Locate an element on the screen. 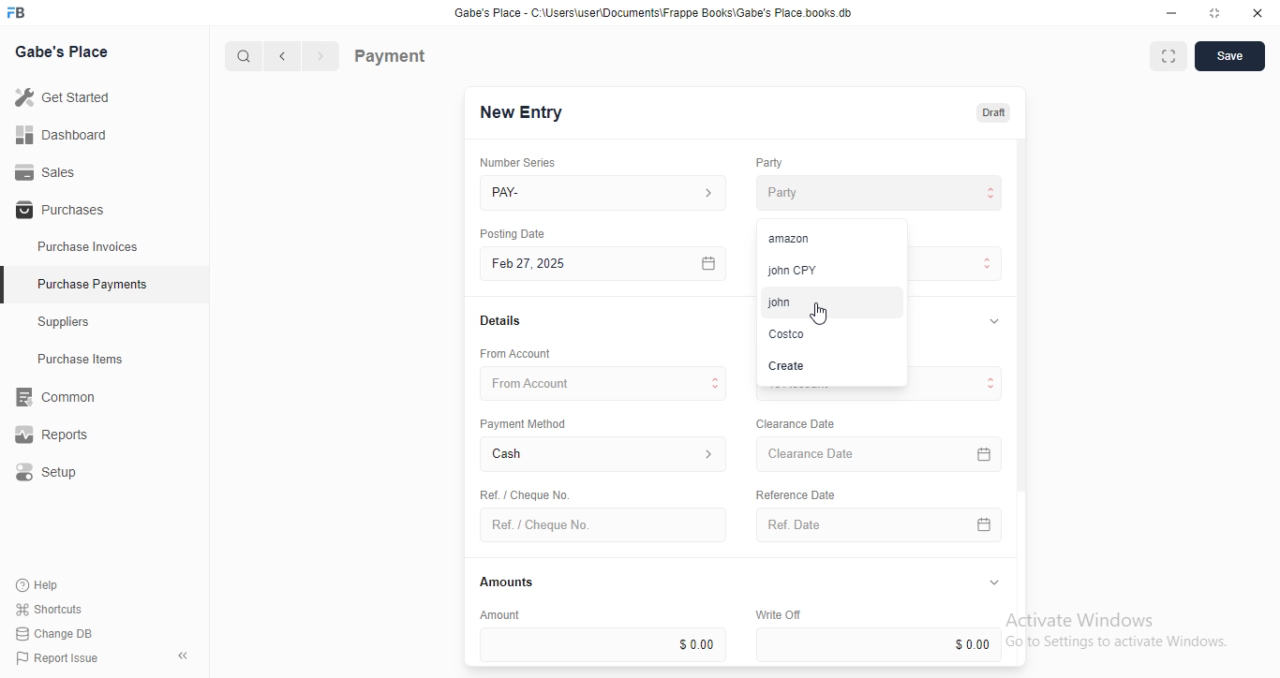 The width and height of the screenshot is (1280, 678). Dashboard is located at coordinates (61, 135).